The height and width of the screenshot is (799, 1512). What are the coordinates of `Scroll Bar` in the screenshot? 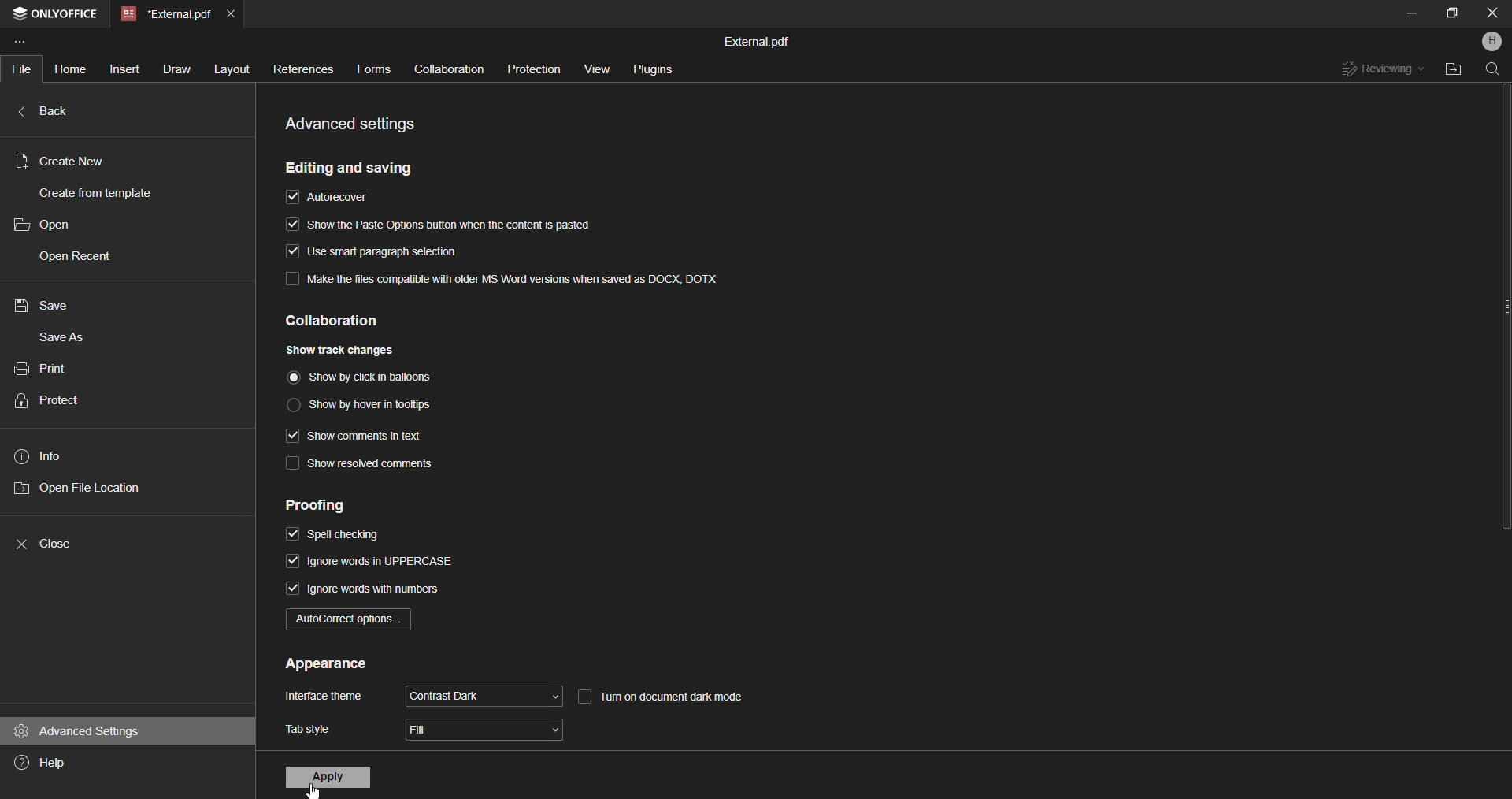 It's located at (1503, 330).